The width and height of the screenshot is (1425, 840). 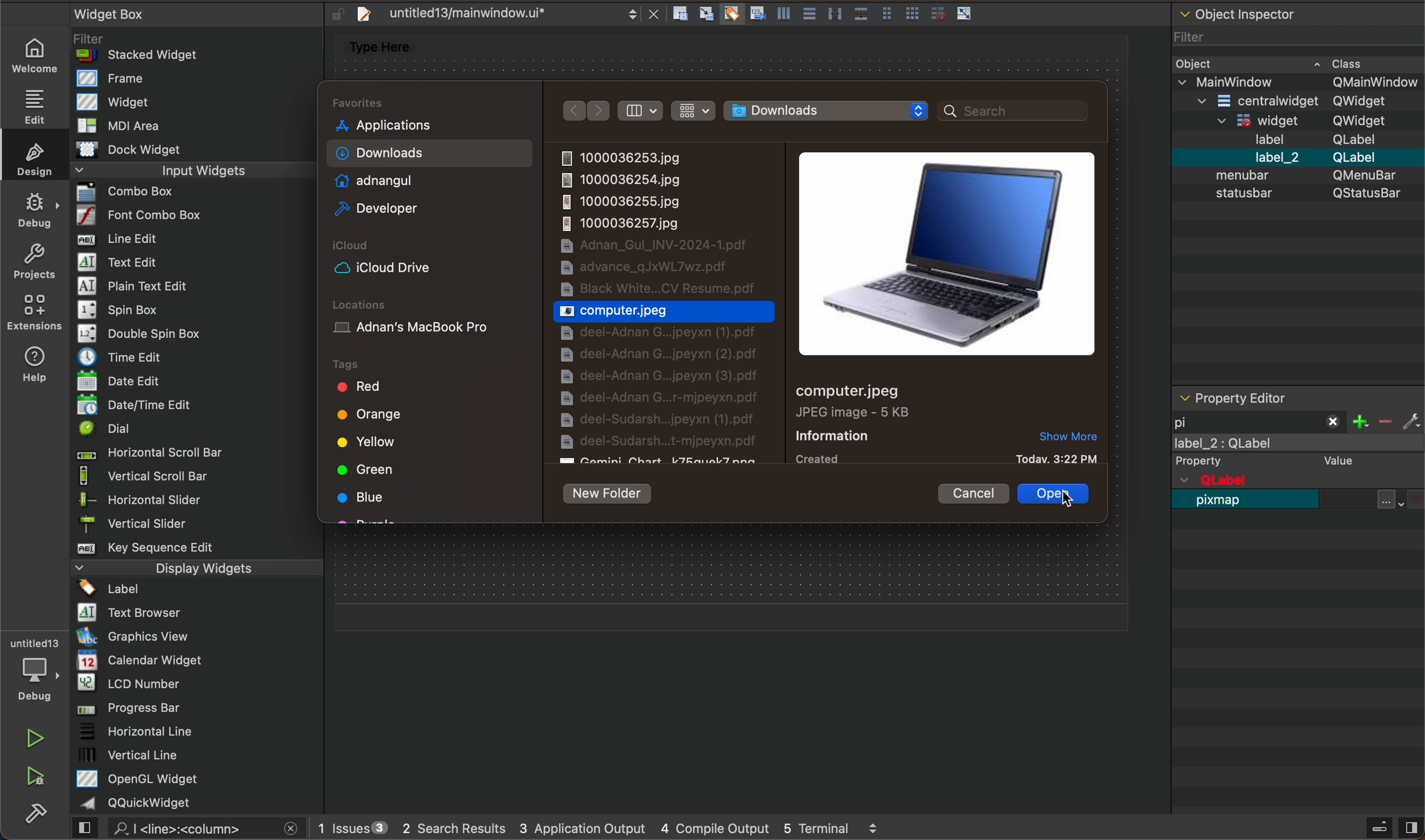 I want to click on next, so click(x=598, y=111).